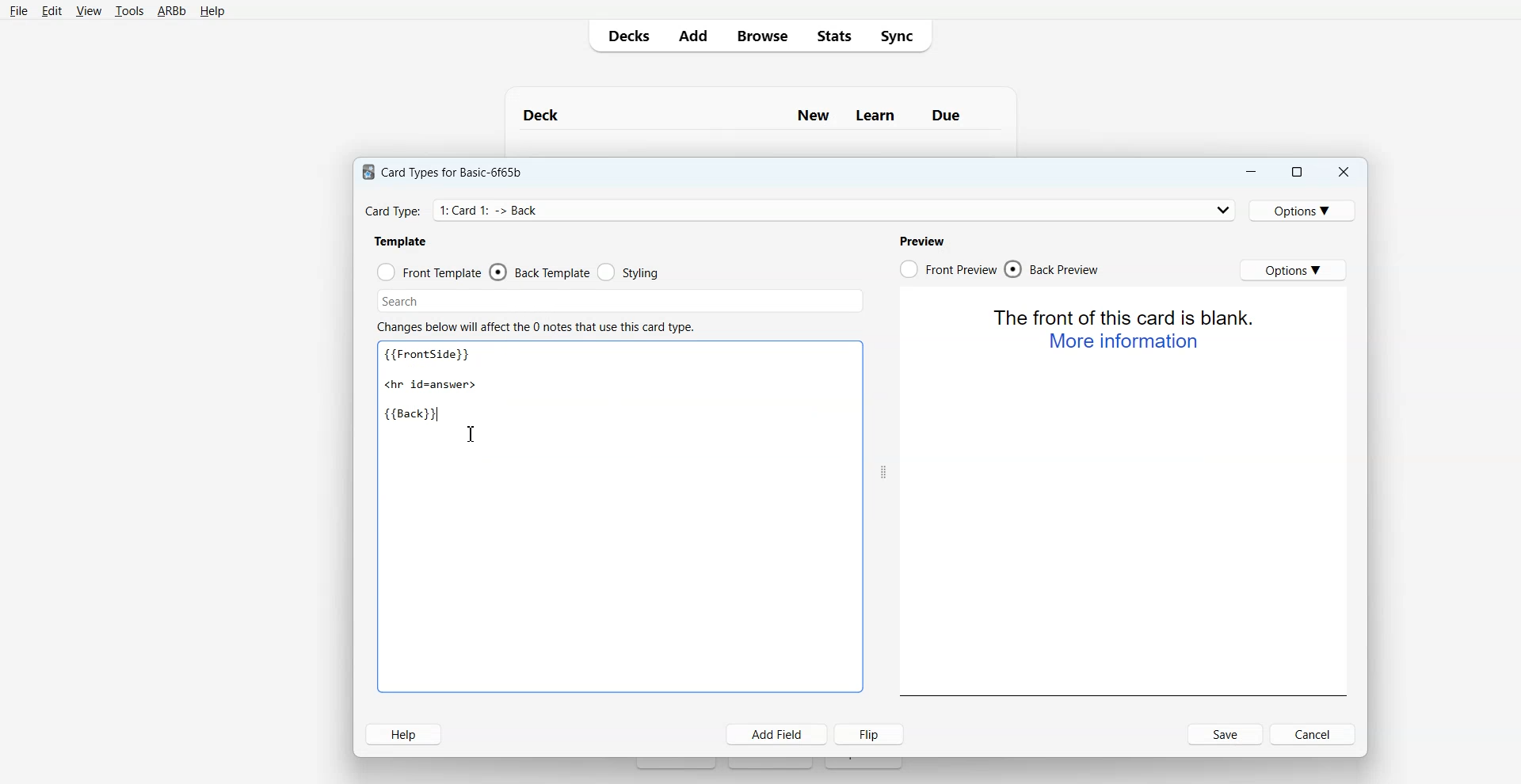 Image resolution: width=1521 pixels, height=784 pixels. I want to click on Help, so click(211, 12).